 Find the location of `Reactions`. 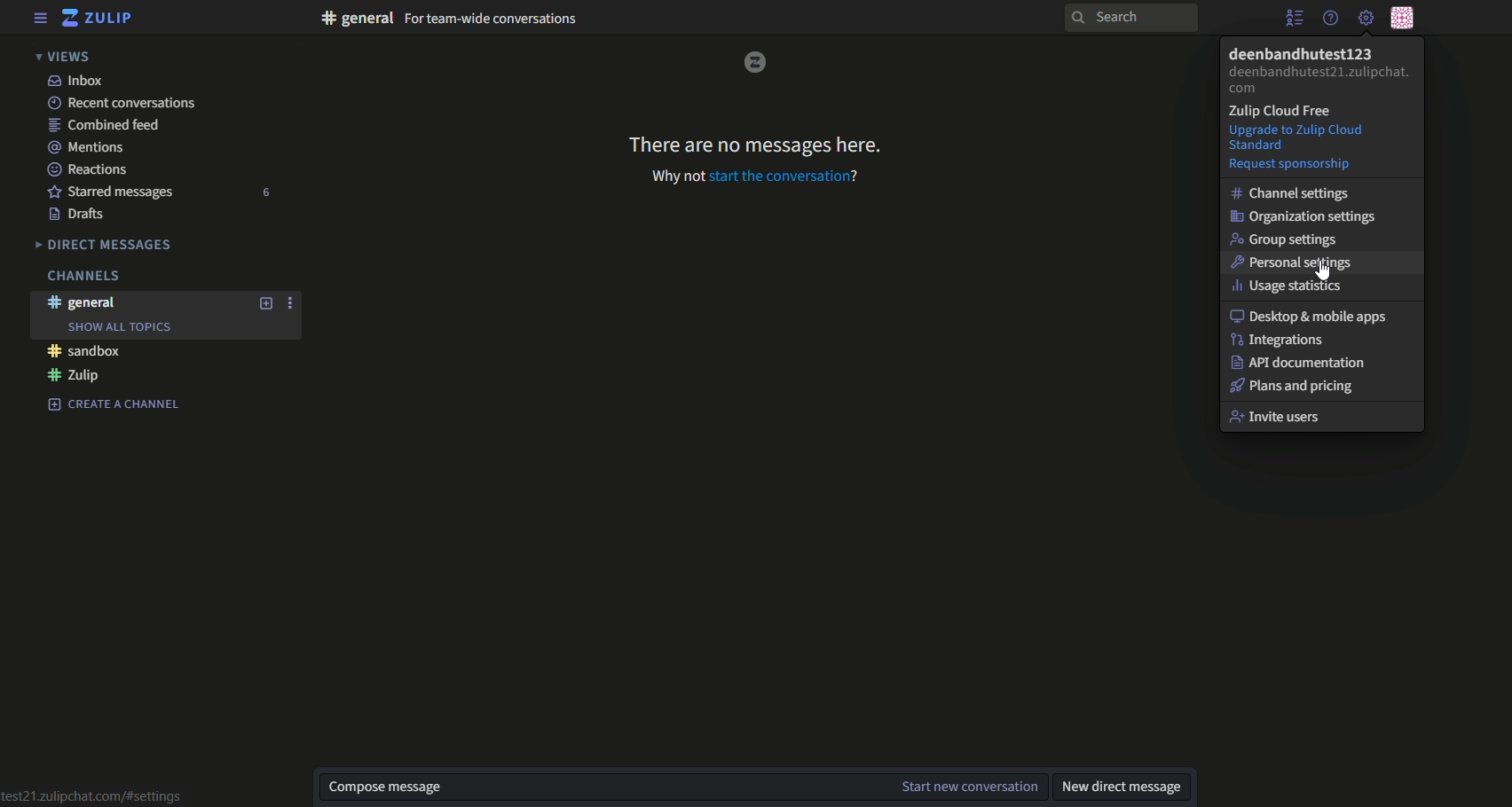

Reactions is located at coordinates (89, 170).